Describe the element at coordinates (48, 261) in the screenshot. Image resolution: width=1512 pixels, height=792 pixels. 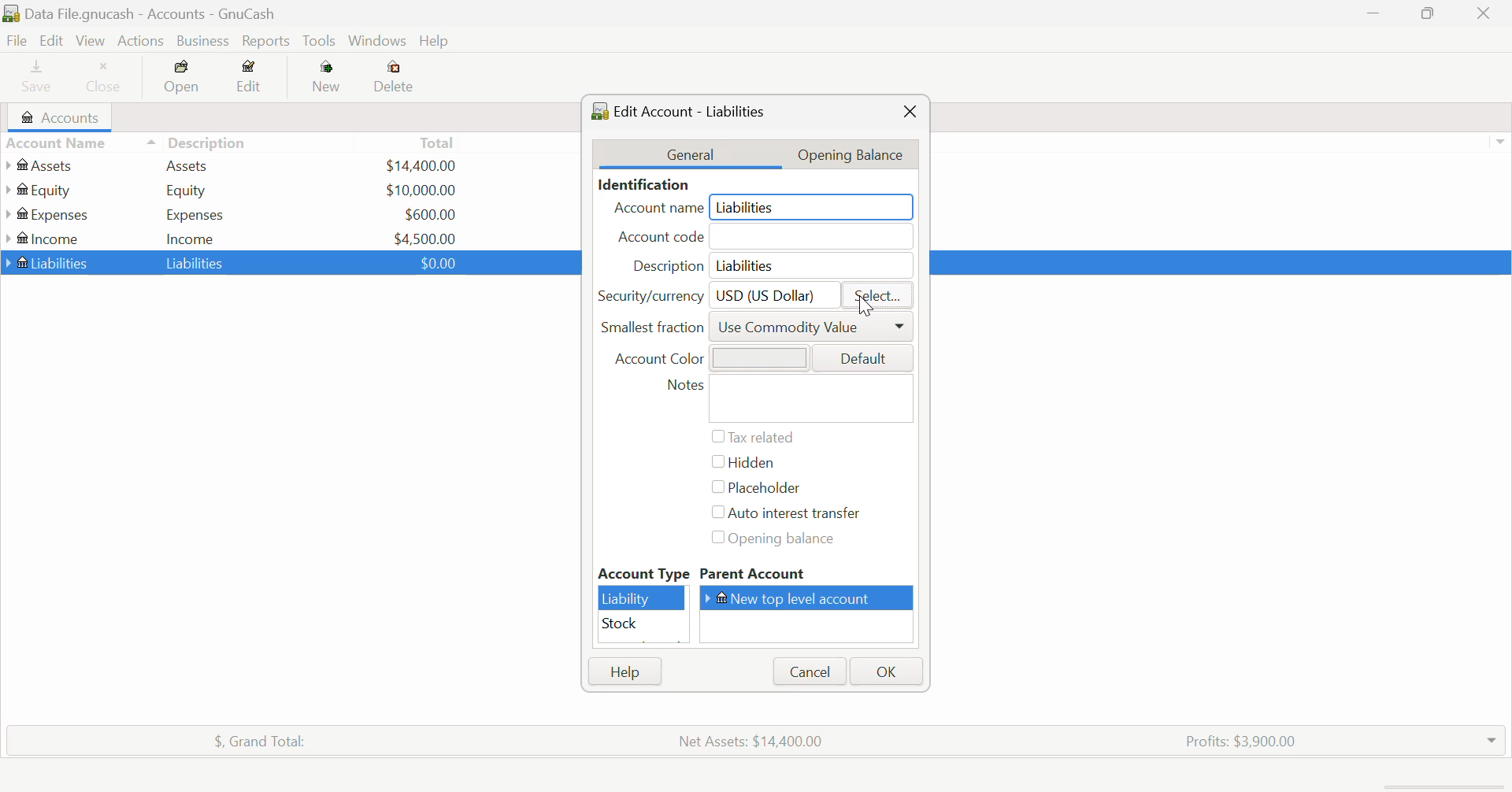
I see `Liabilities Account` at that location.